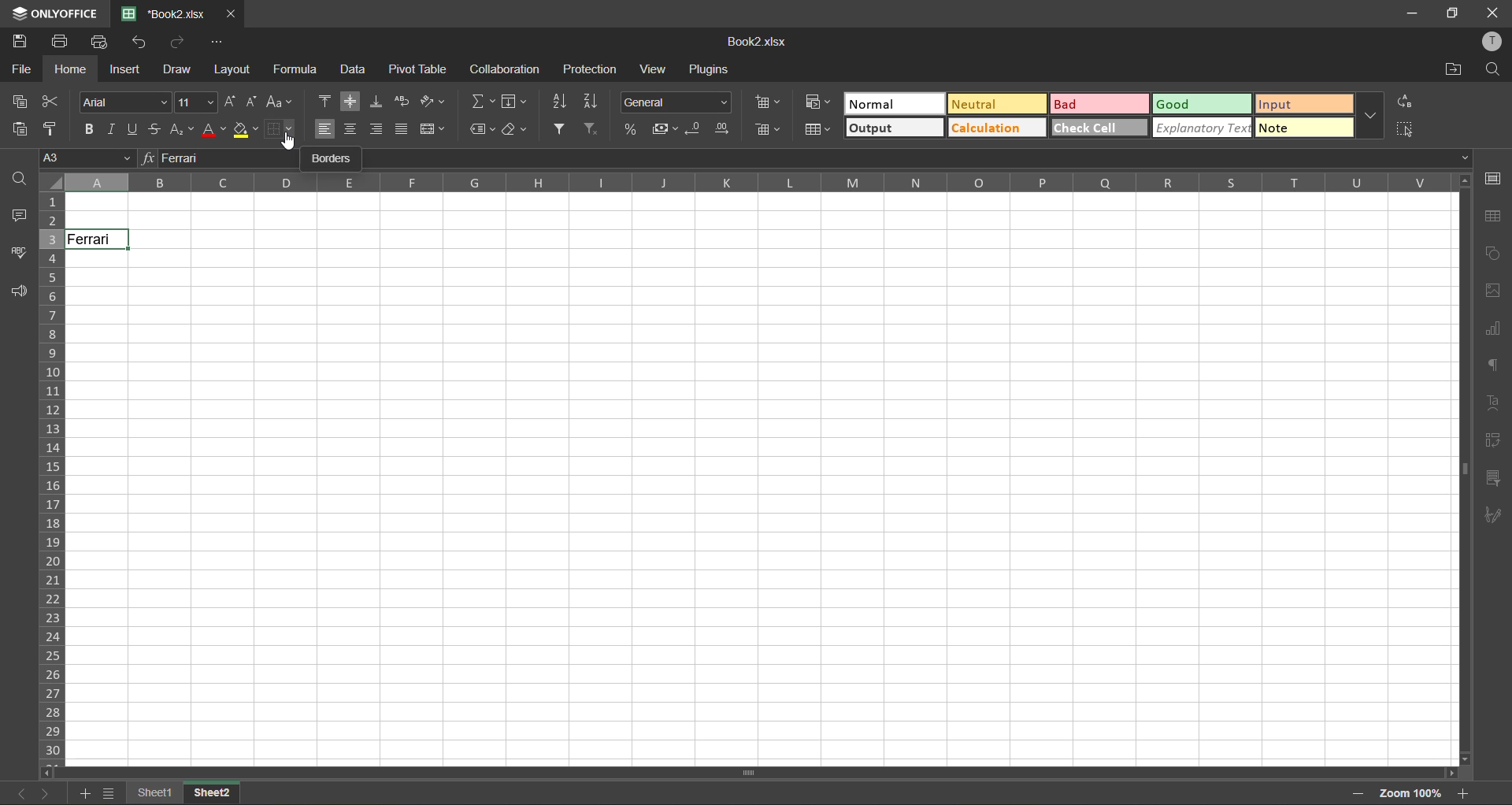  I want to click on find, so click(21, 180).